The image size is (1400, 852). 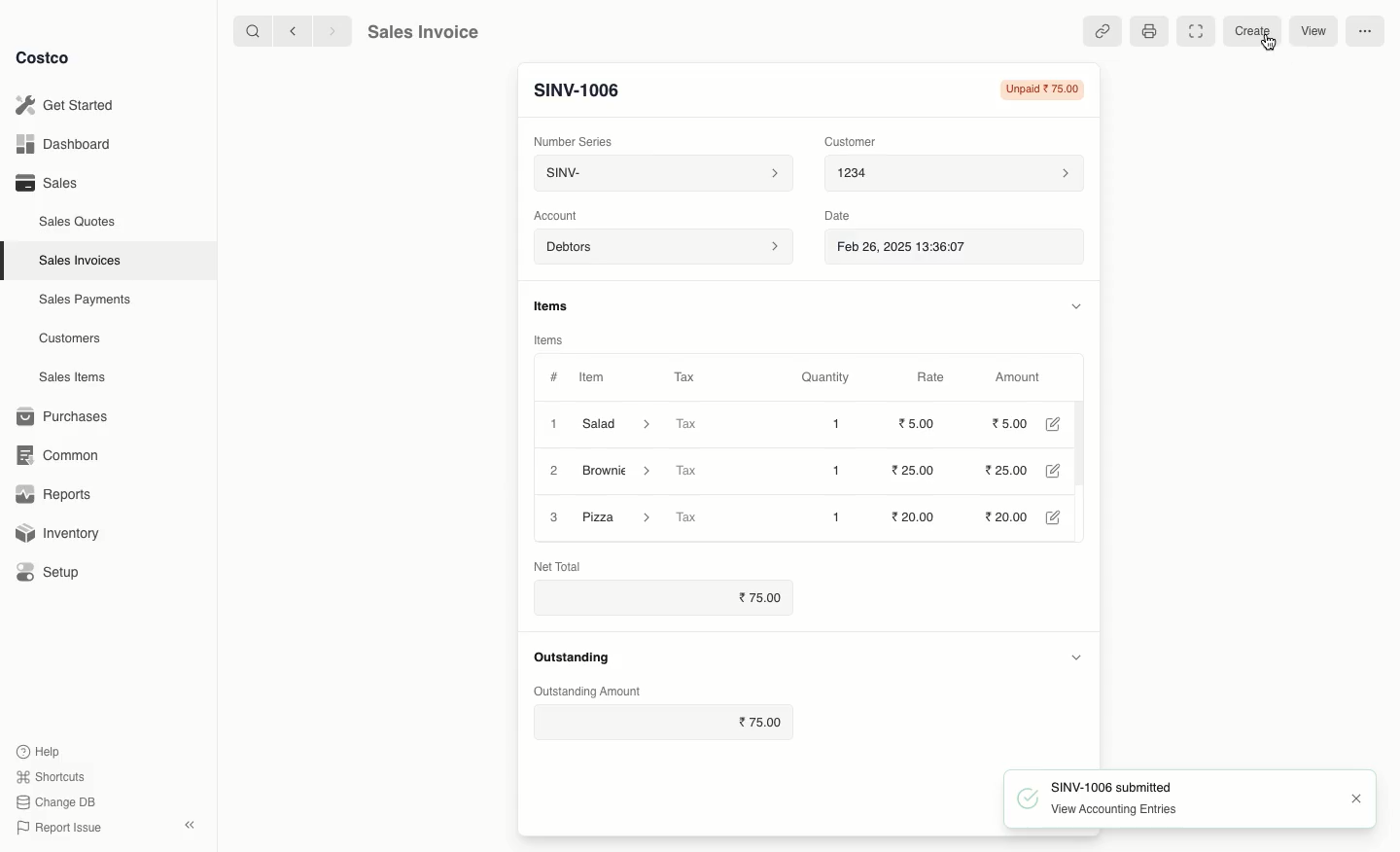 What do you see at coordinates (80, 221) in the screenshot?
I see `Sales Quotes` at bounding box center [80, 221].